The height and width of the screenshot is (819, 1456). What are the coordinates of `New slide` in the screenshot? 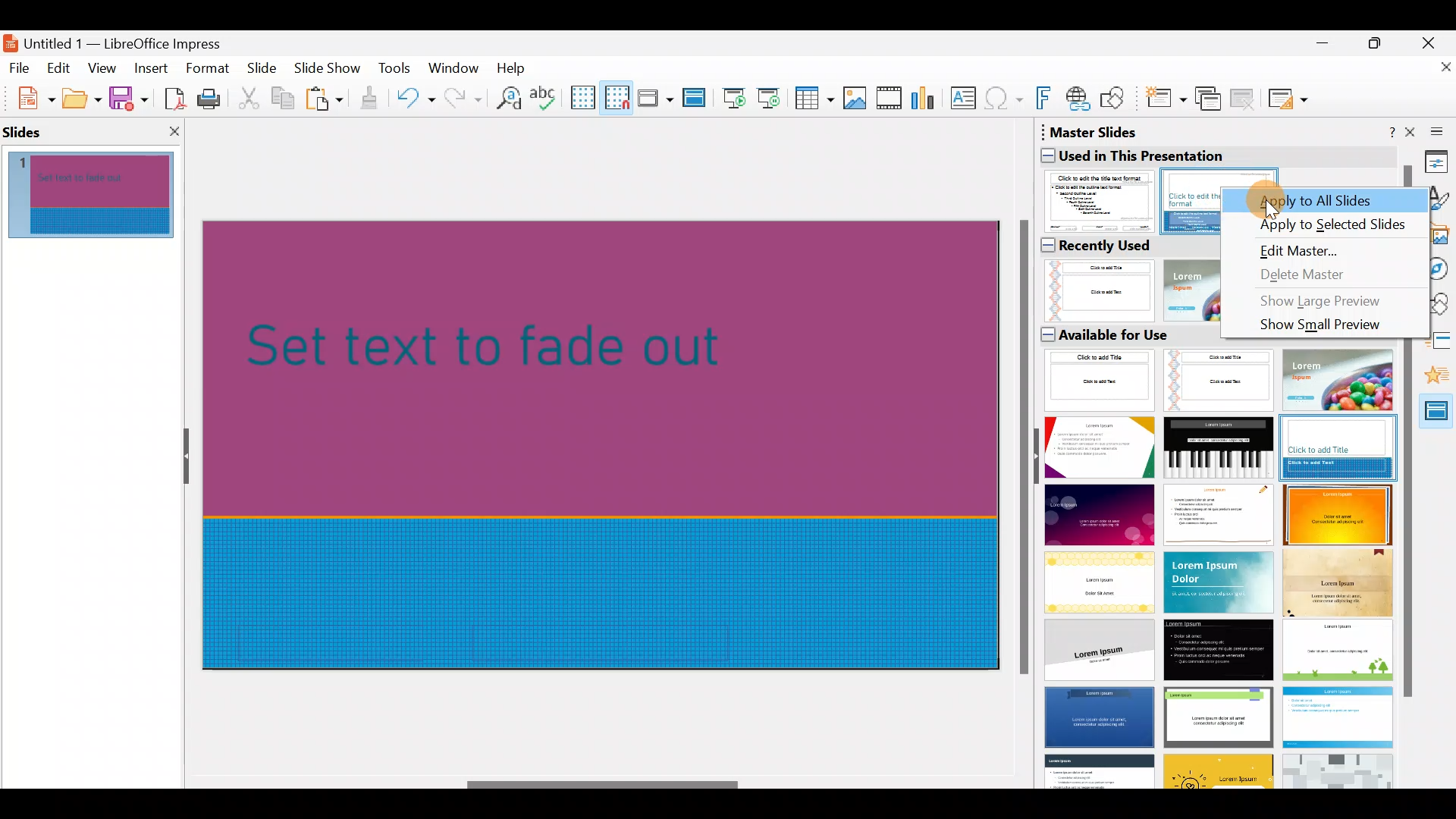 It's located at (1165, 102).